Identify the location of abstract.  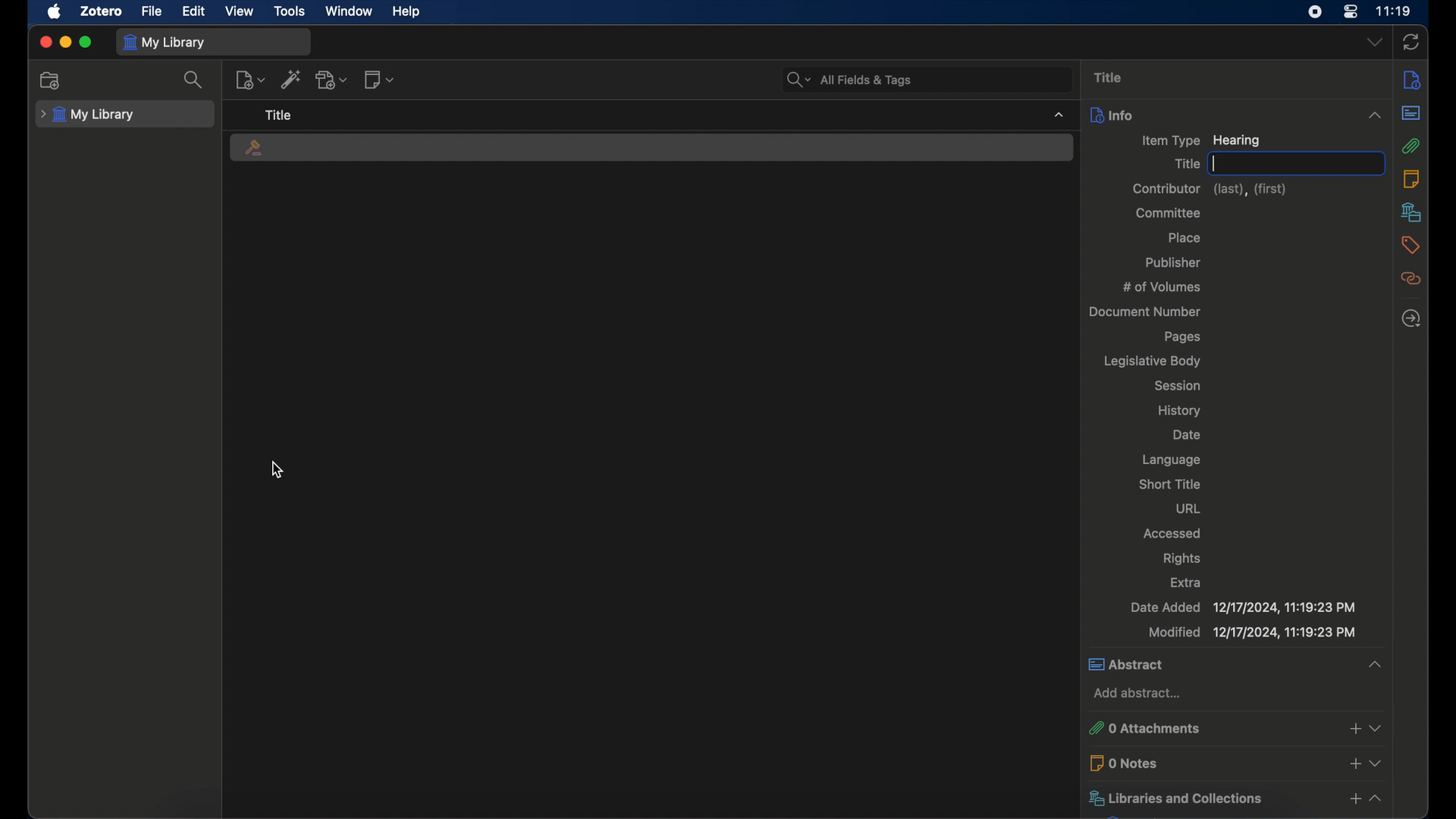
(1236, 665).